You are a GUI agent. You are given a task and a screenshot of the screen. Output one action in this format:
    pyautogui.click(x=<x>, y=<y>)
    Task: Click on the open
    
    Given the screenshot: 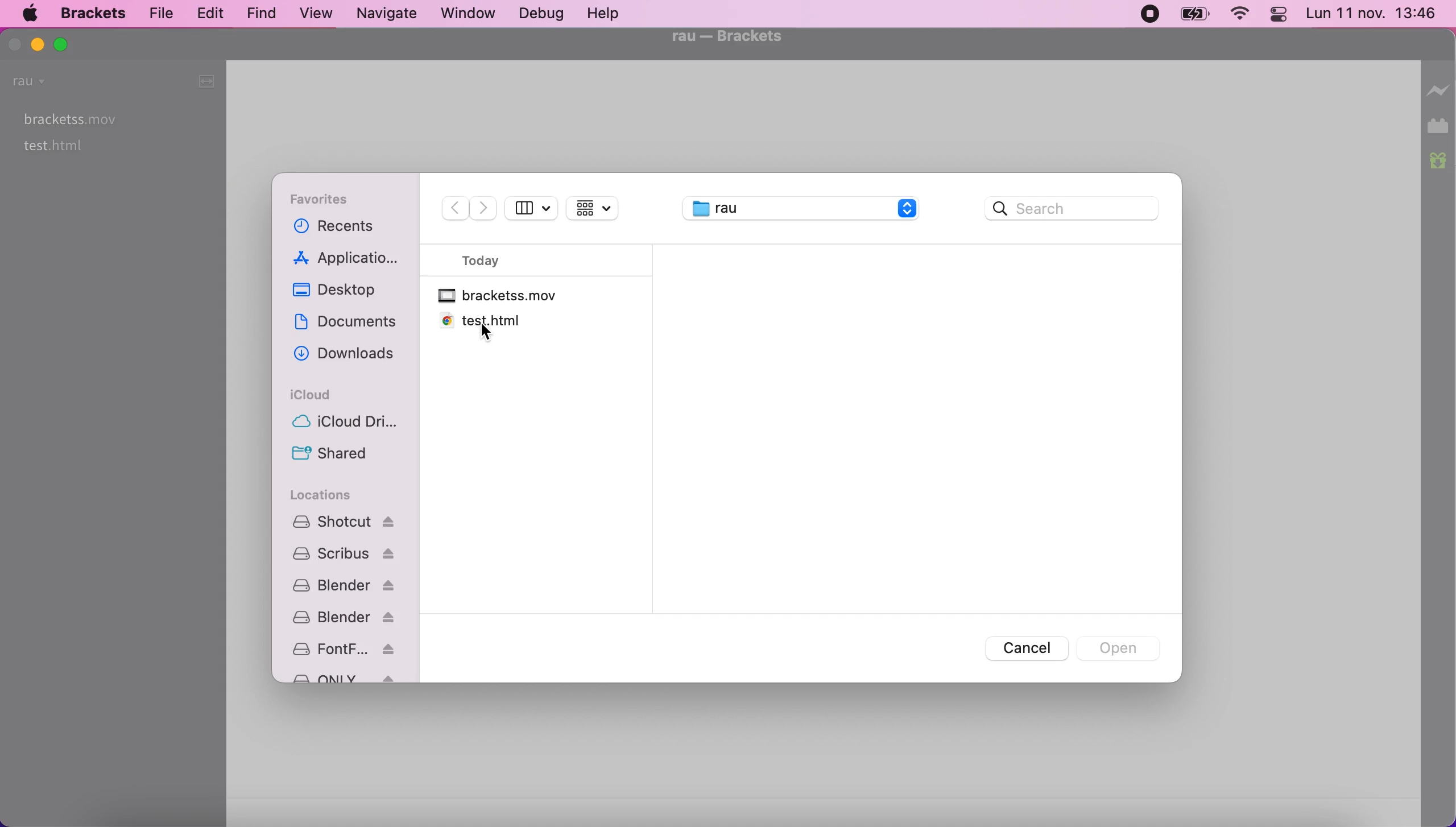 What is the action you would take?
    pyautogui.click(x=1119, y=646)
    